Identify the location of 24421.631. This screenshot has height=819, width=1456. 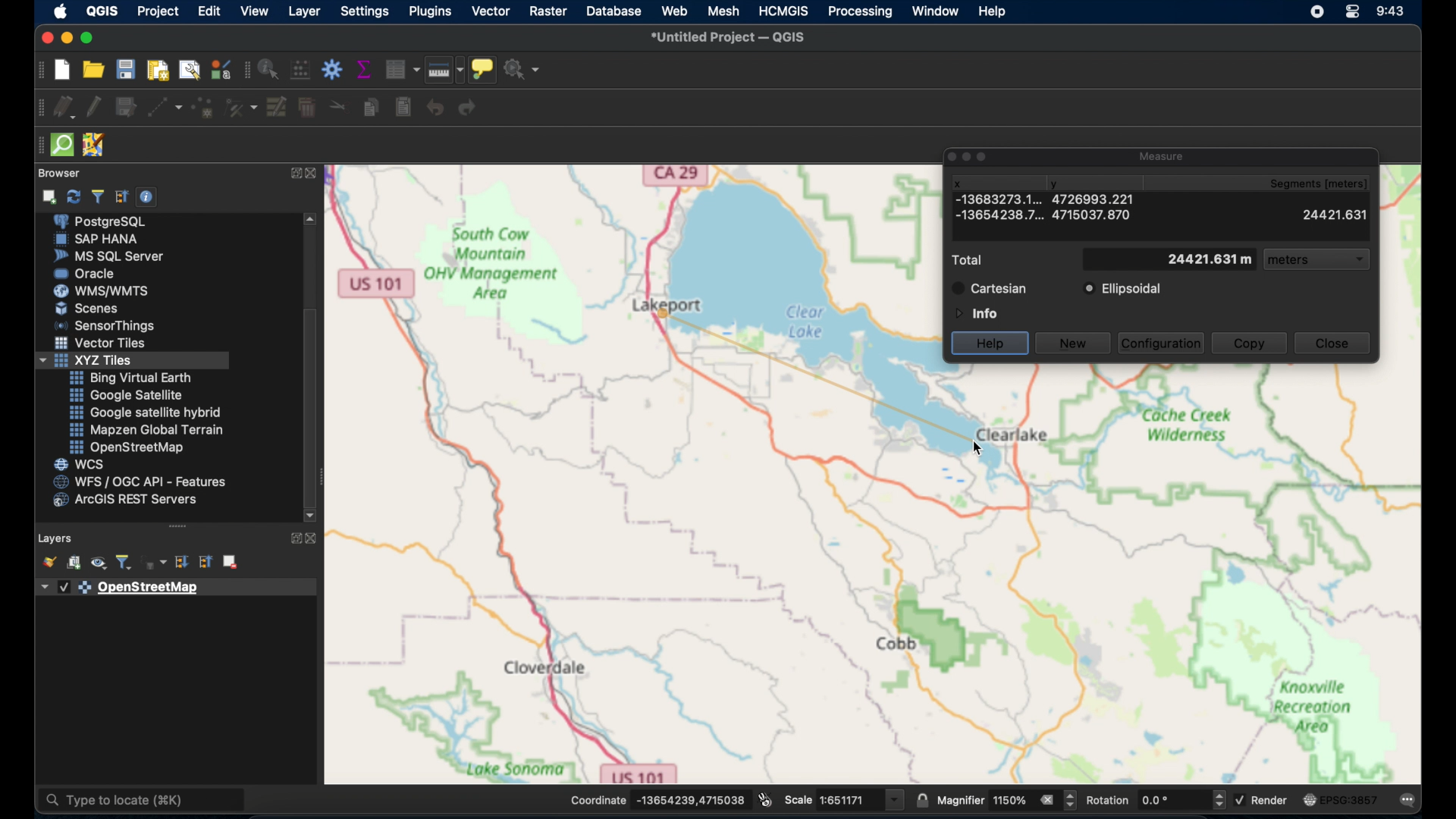
(1336, 216).